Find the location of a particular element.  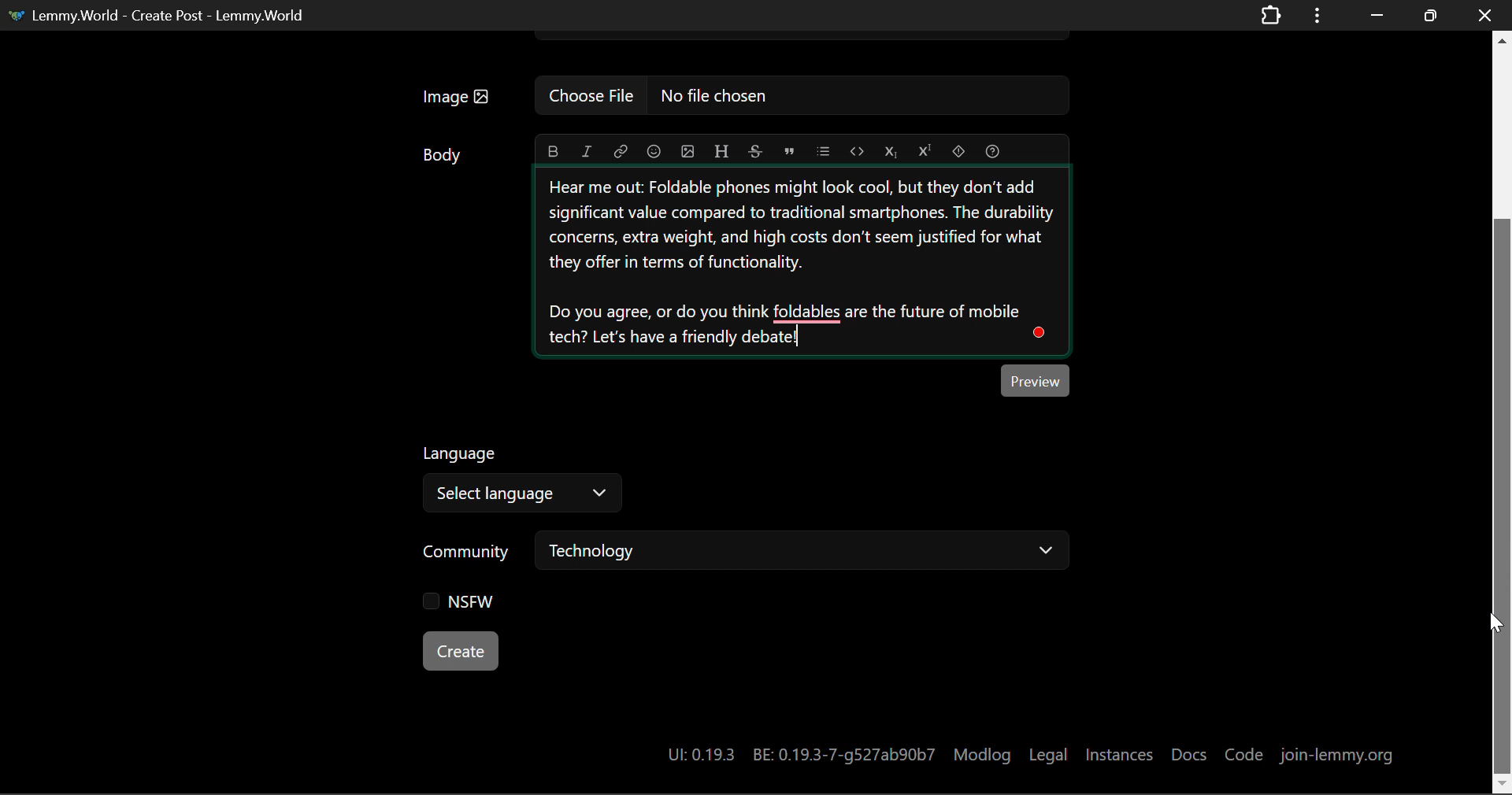

Extensions is located at coordinates (1270, 14).